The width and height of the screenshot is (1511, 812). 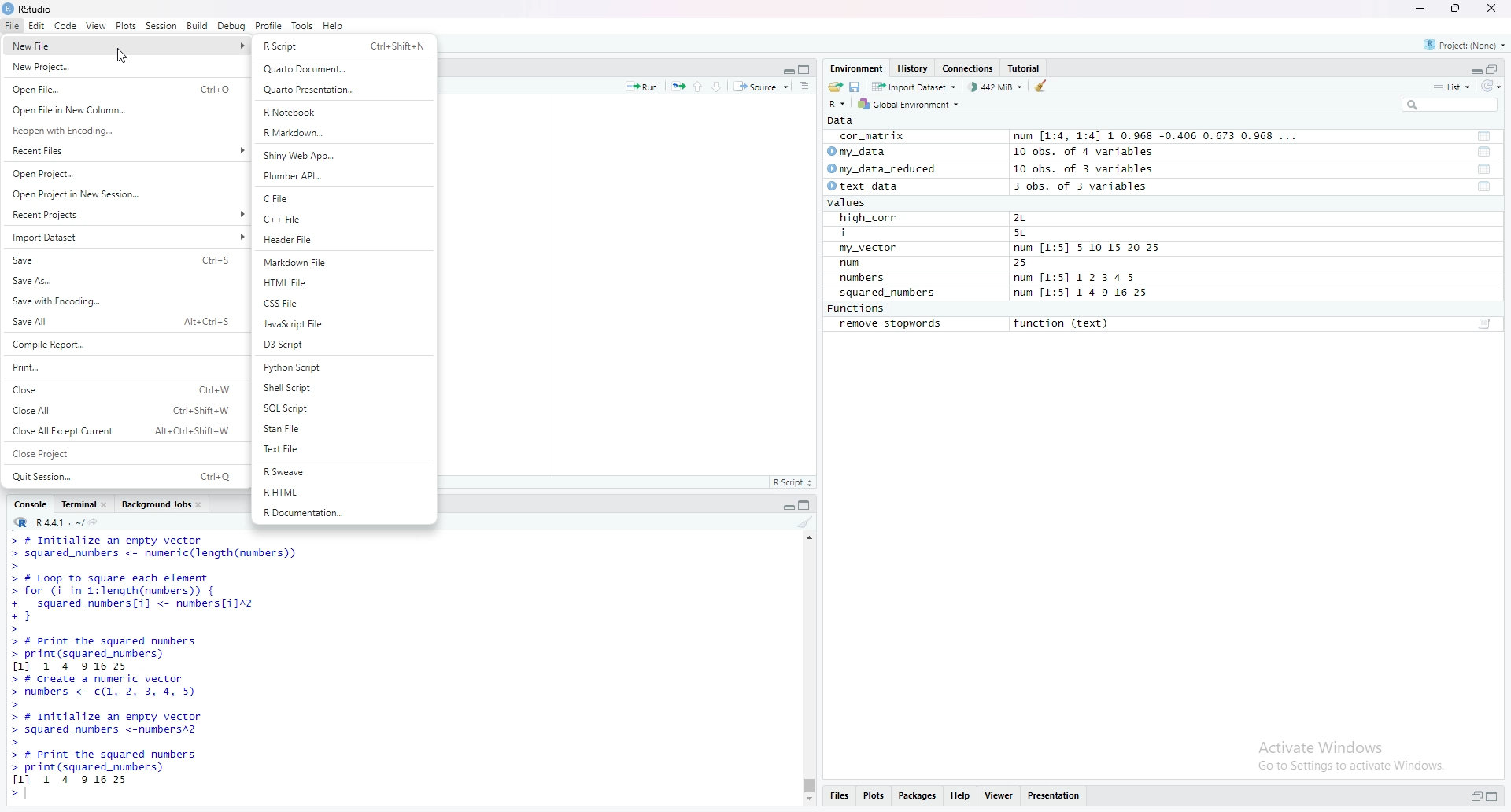 I want to click on R Markdown., so click(x=345, y=131).